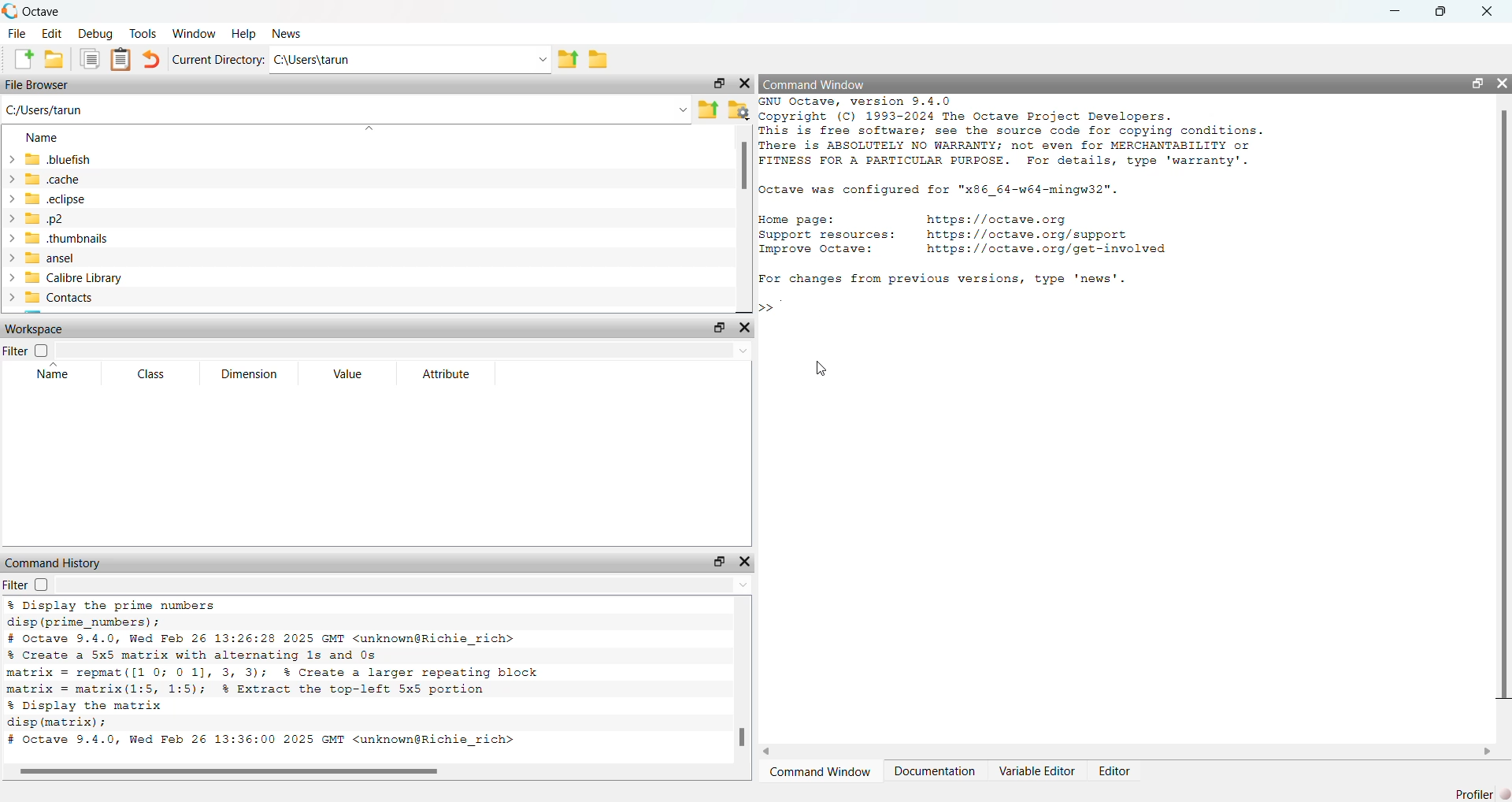 The image size is (1512, 802). I want to click on scrollbar, so click(740, 740).